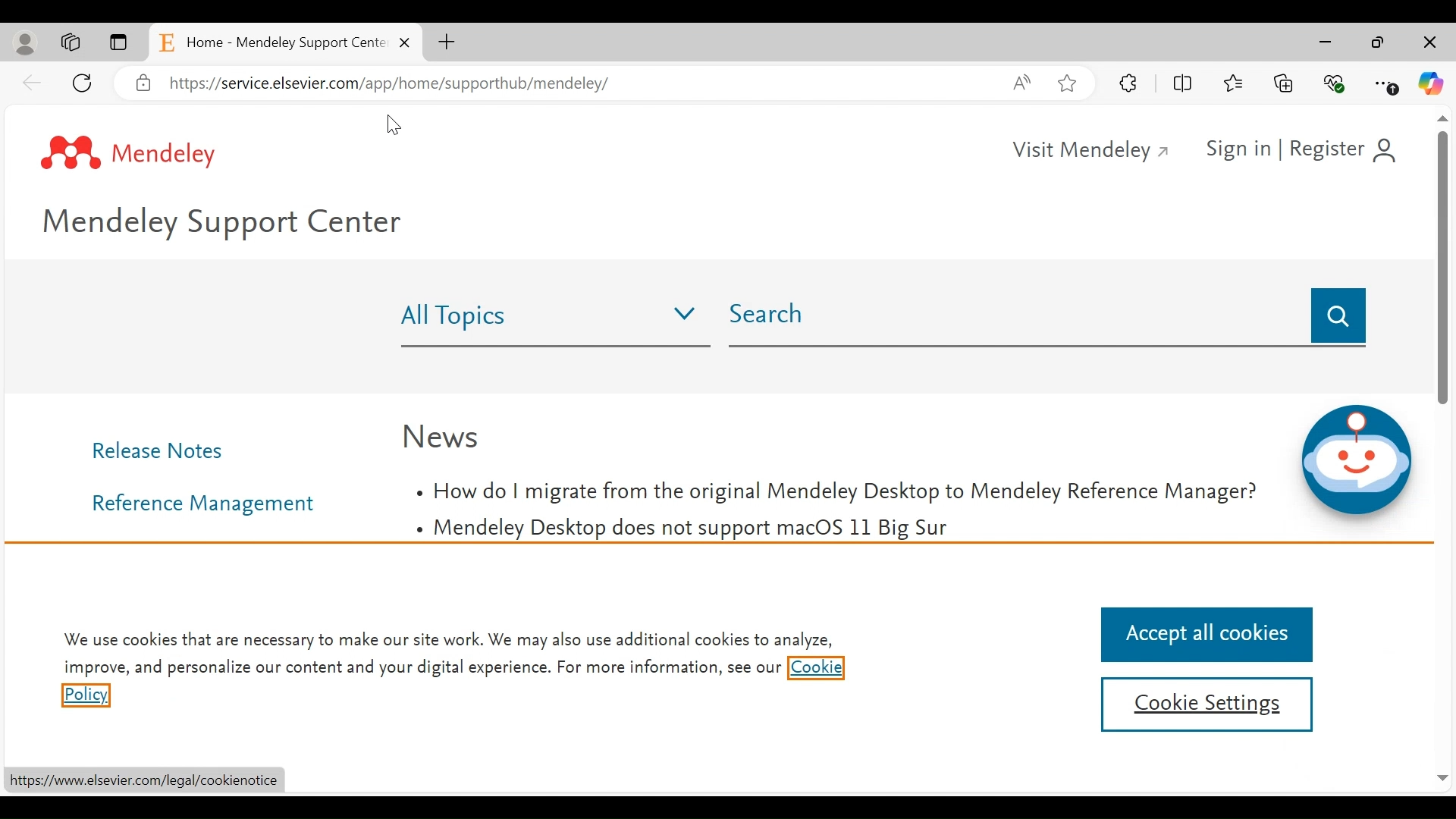  Describe the element at coordinates (1335, 83) in the screenshot. I see `Browser Essentials` at that location.